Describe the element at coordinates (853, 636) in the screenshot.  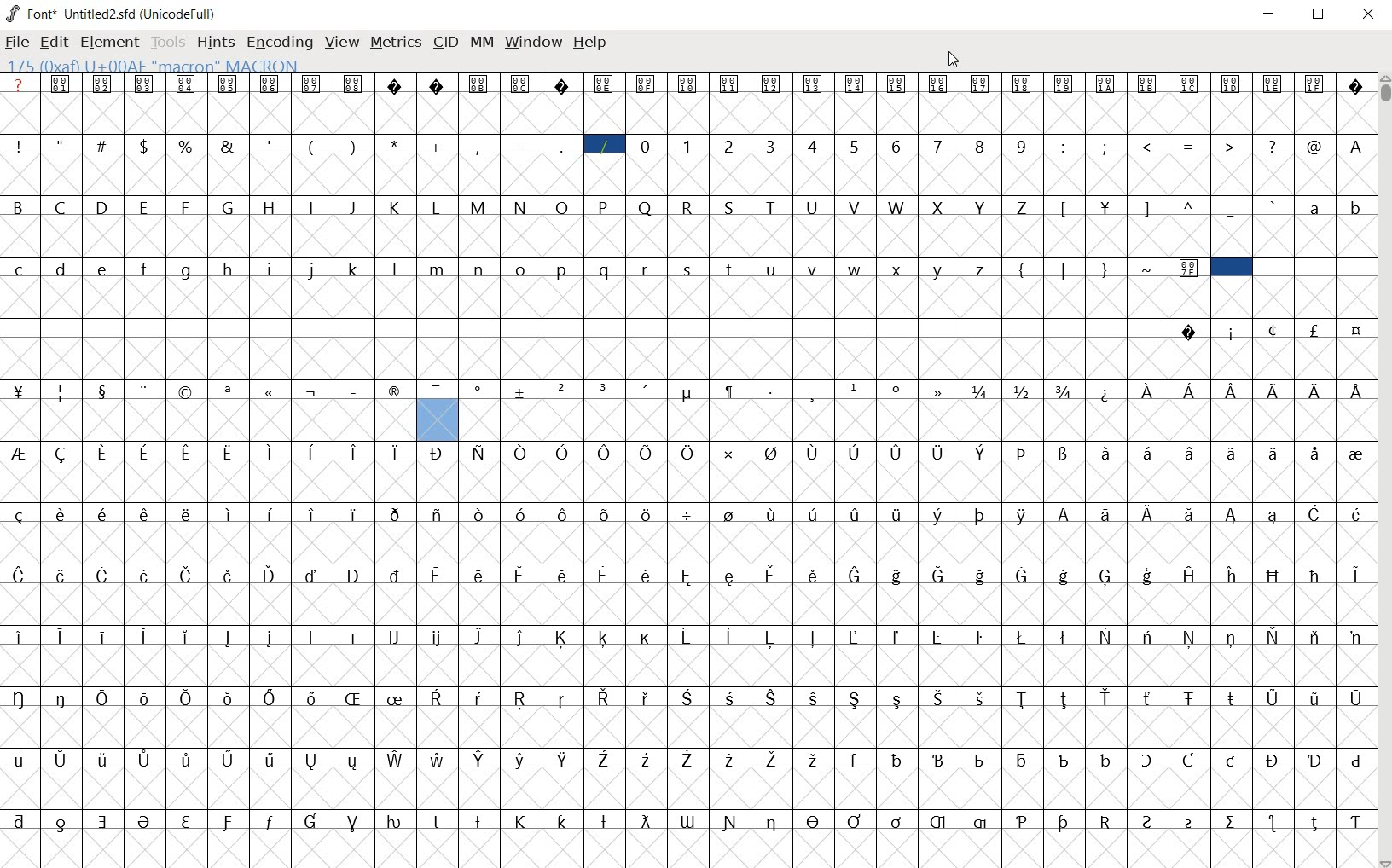
I see `Symbol` at that location.